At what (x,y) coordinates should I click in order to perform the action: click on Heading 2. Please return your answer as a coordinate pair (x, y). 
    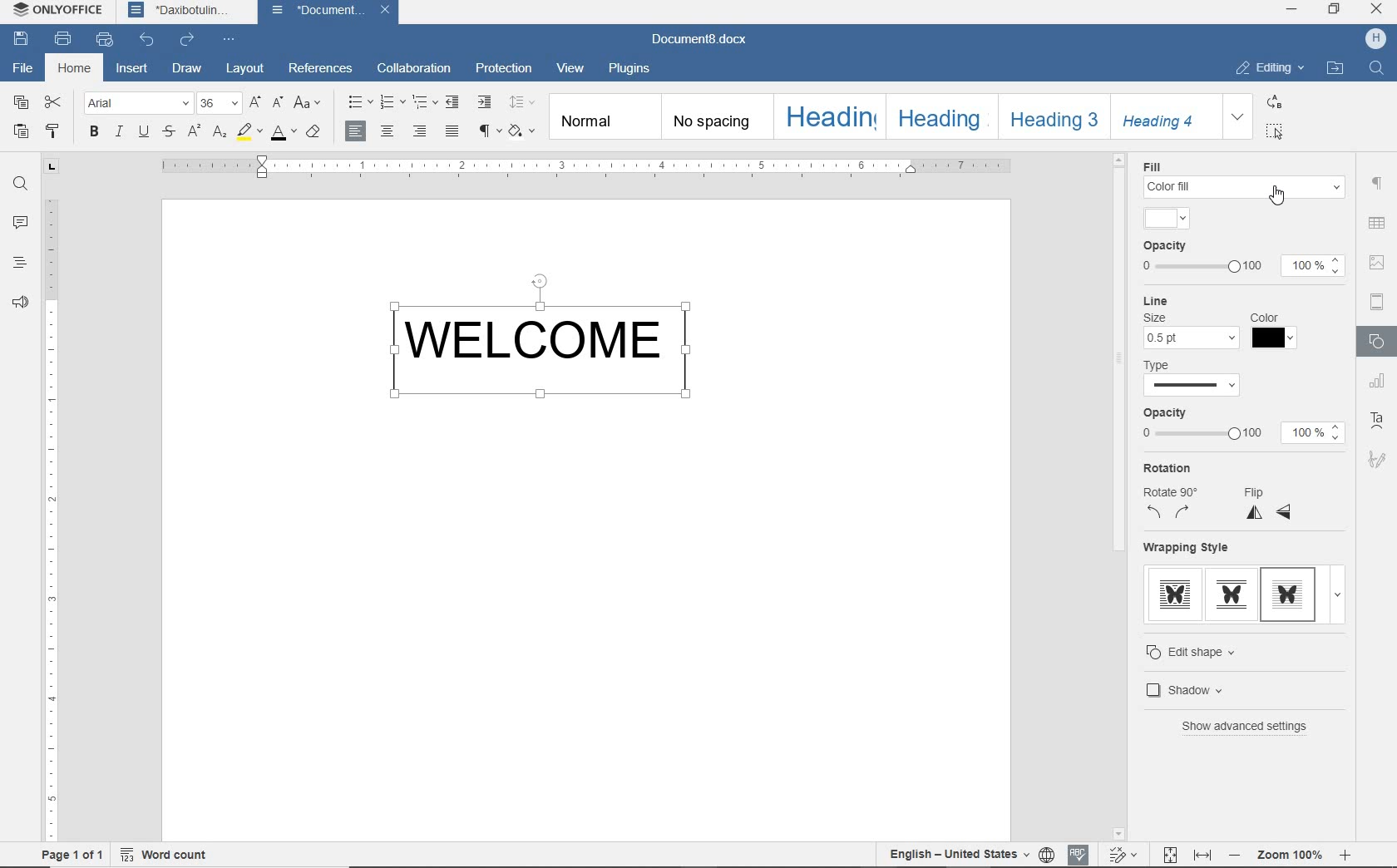
    Looking at the image, I should click on (942, 116).